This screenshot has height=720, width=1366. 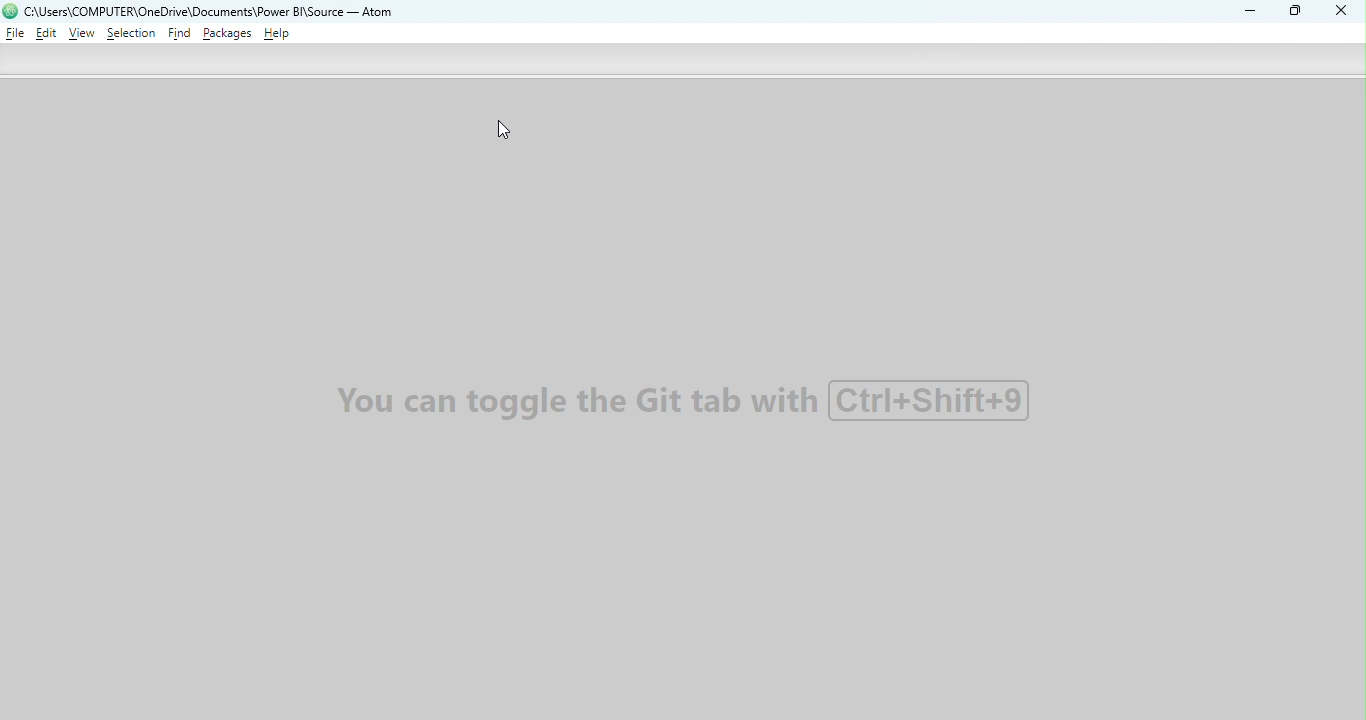 I want to click on Find, so click(x=180, y=35).